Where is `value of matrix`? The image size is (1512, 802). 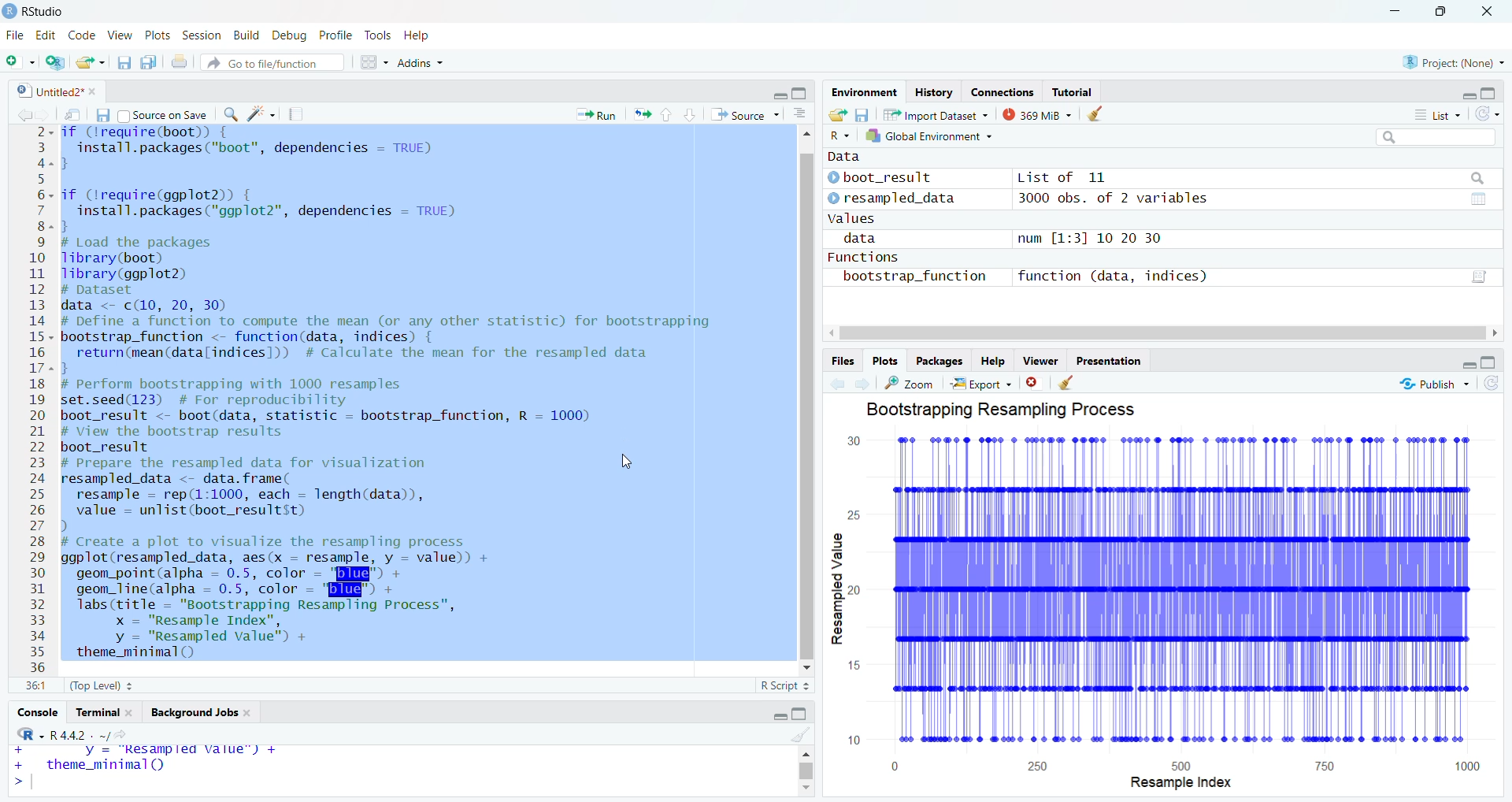
value of matrix is located at coordinates (1480, 199).